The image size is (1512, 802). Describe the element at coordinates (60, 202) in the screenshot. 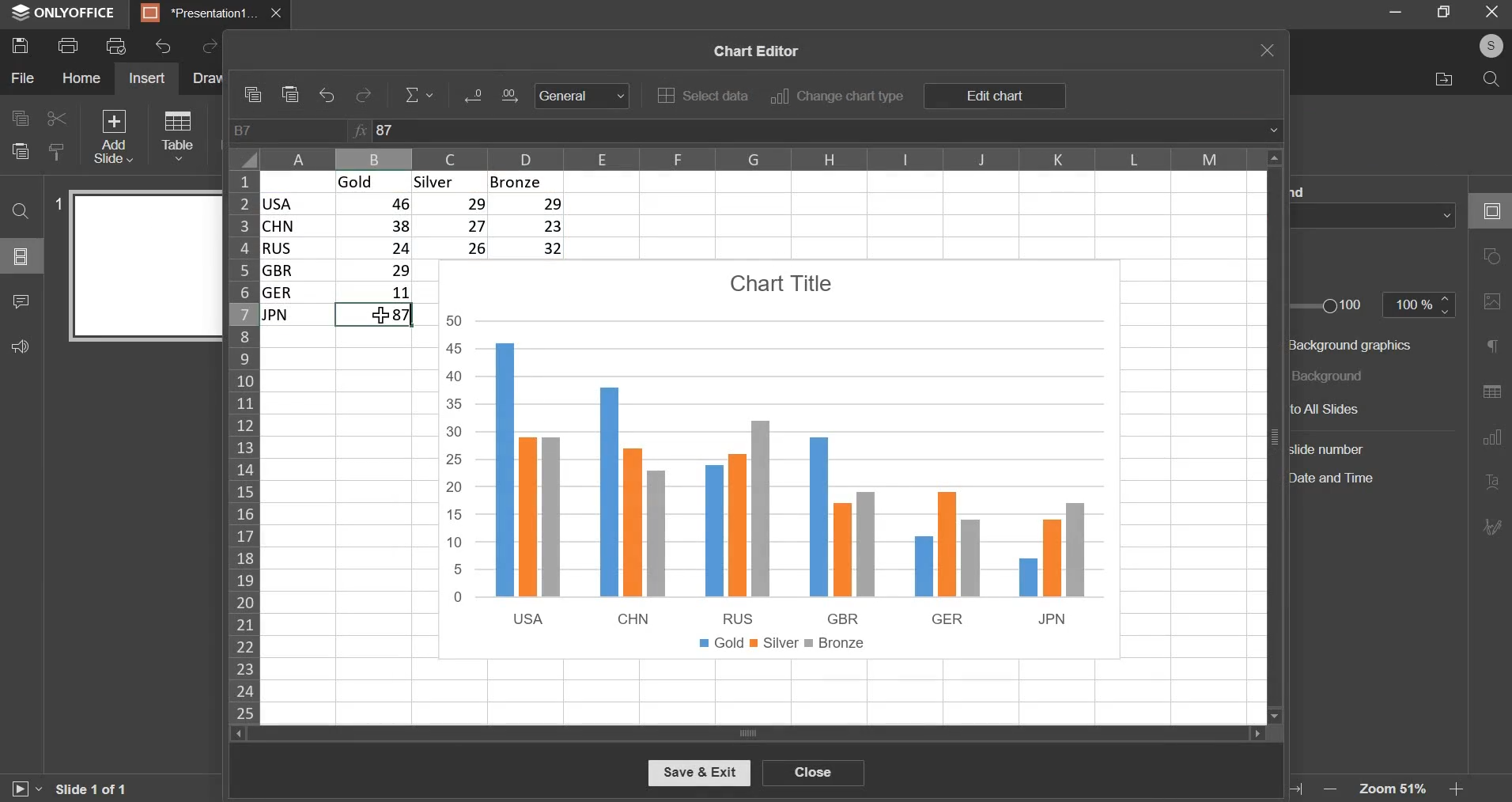

I see `slide number` at that location.